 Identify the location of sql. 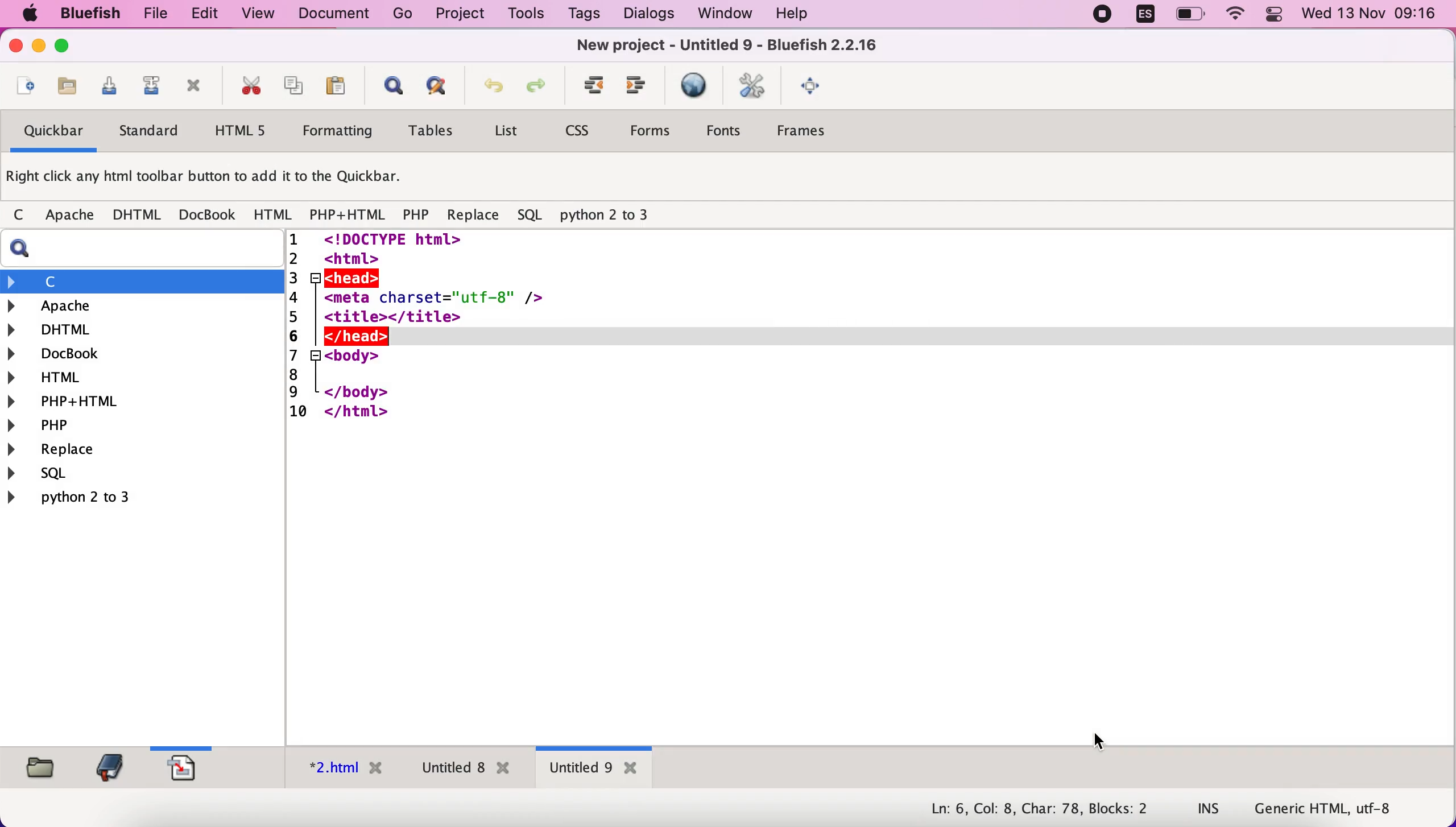
(531, 217).